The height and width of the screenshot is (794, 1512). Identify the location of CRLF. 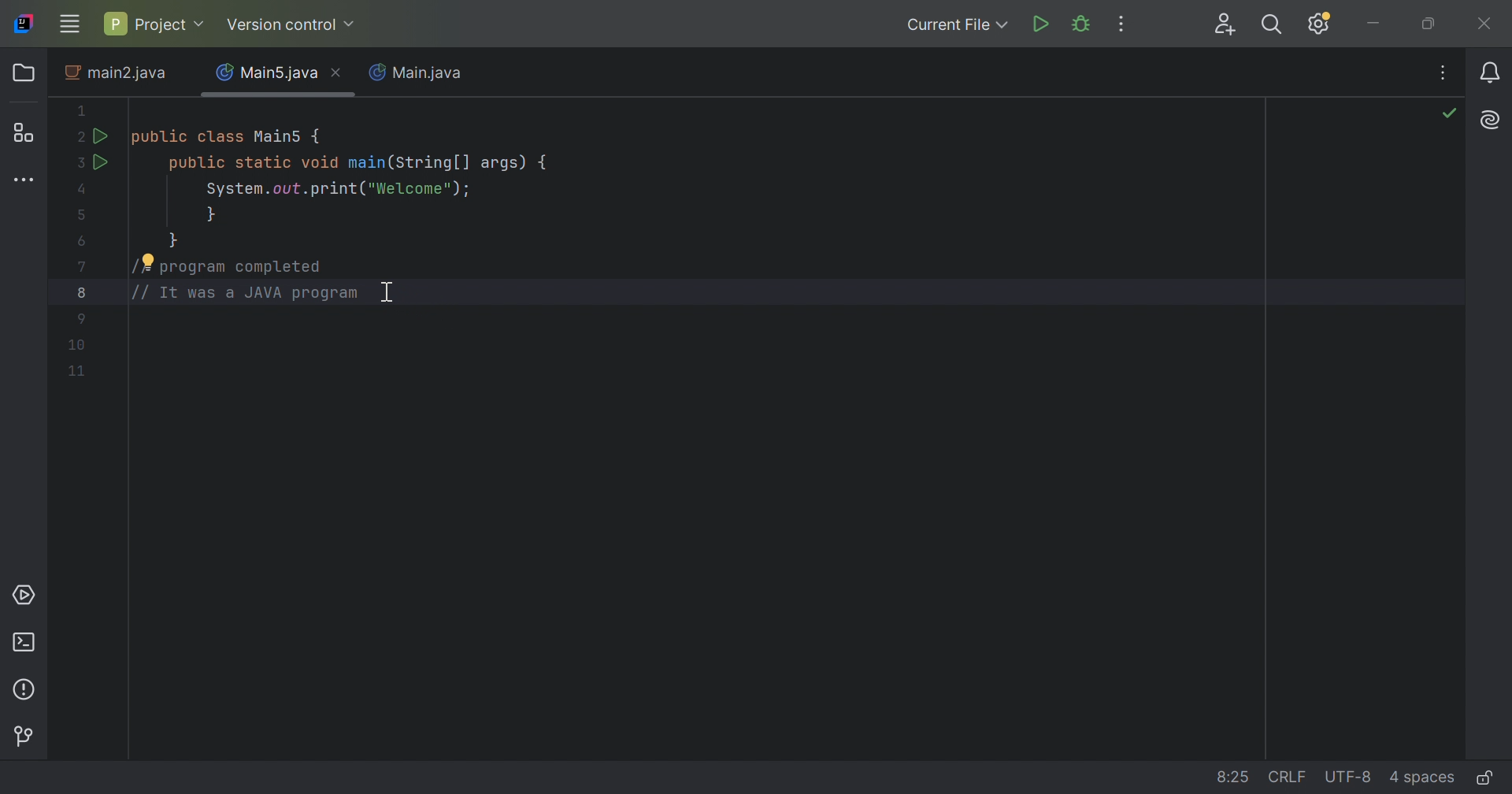
(1284, 777).